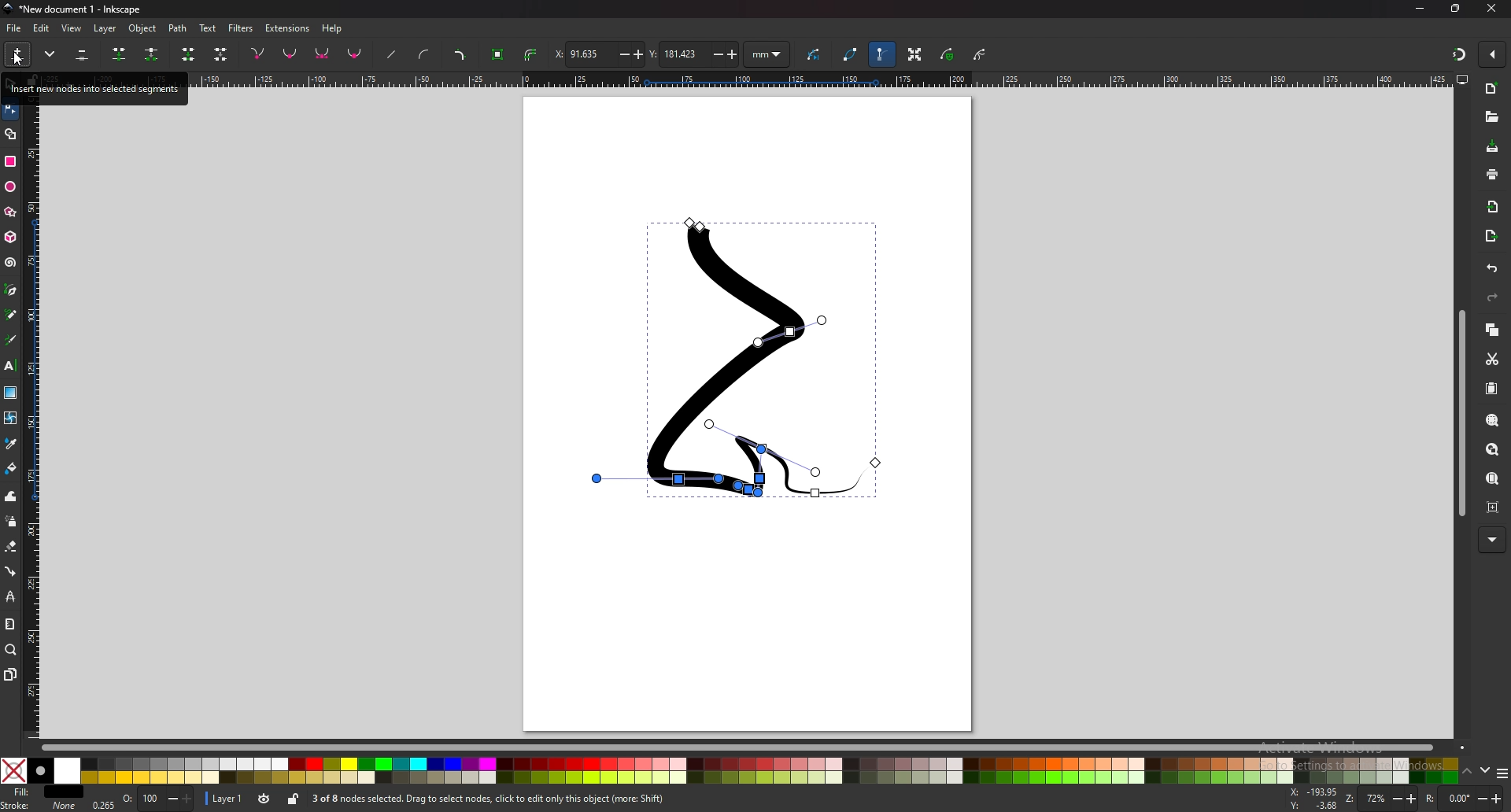 The height and width of the screenshot is (812, 1511). I want to click on gradient, so click(10, 393).